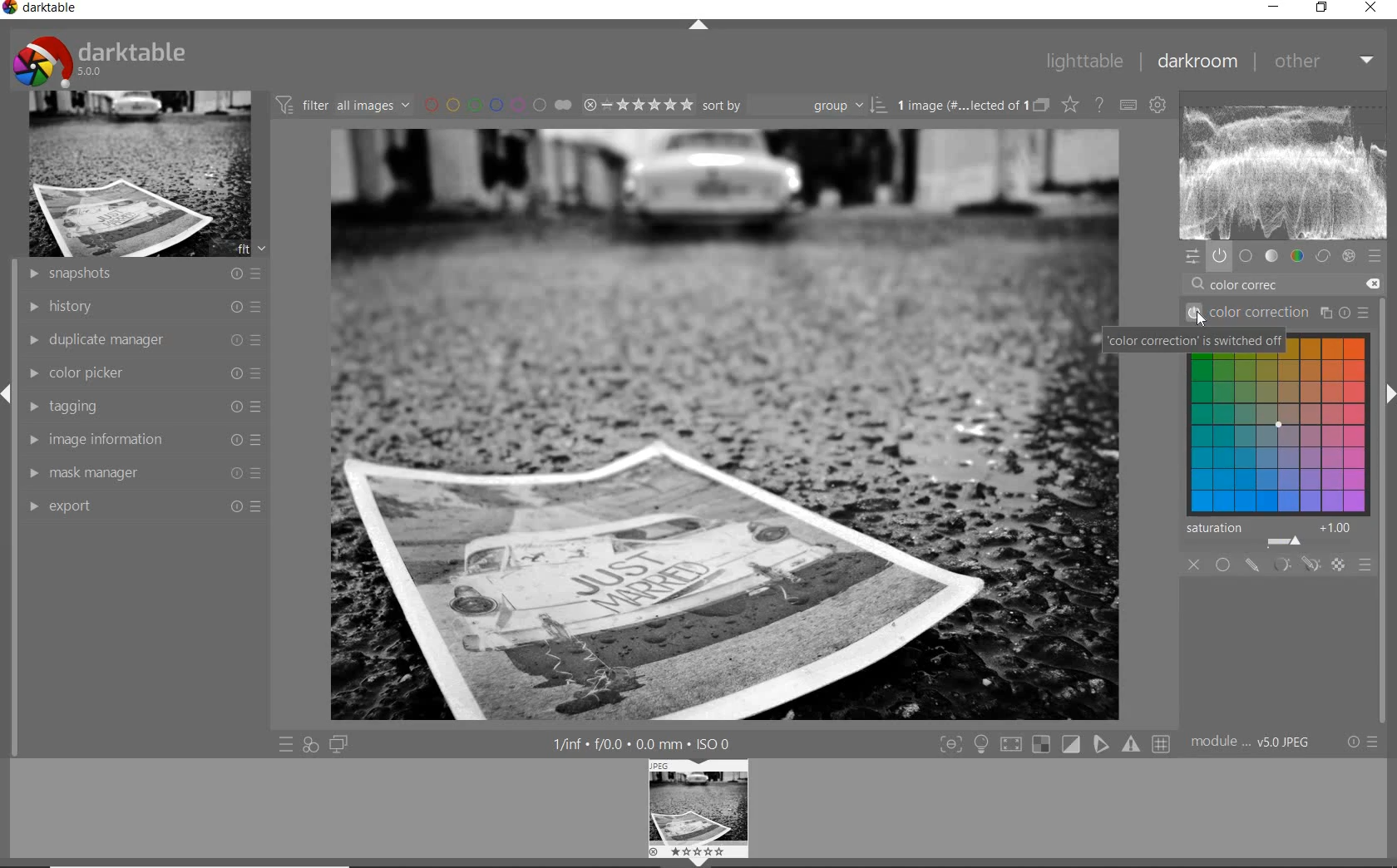  Describe the element at coordinates (1274, 6) in the screenshot. I see `minimize` at that location.